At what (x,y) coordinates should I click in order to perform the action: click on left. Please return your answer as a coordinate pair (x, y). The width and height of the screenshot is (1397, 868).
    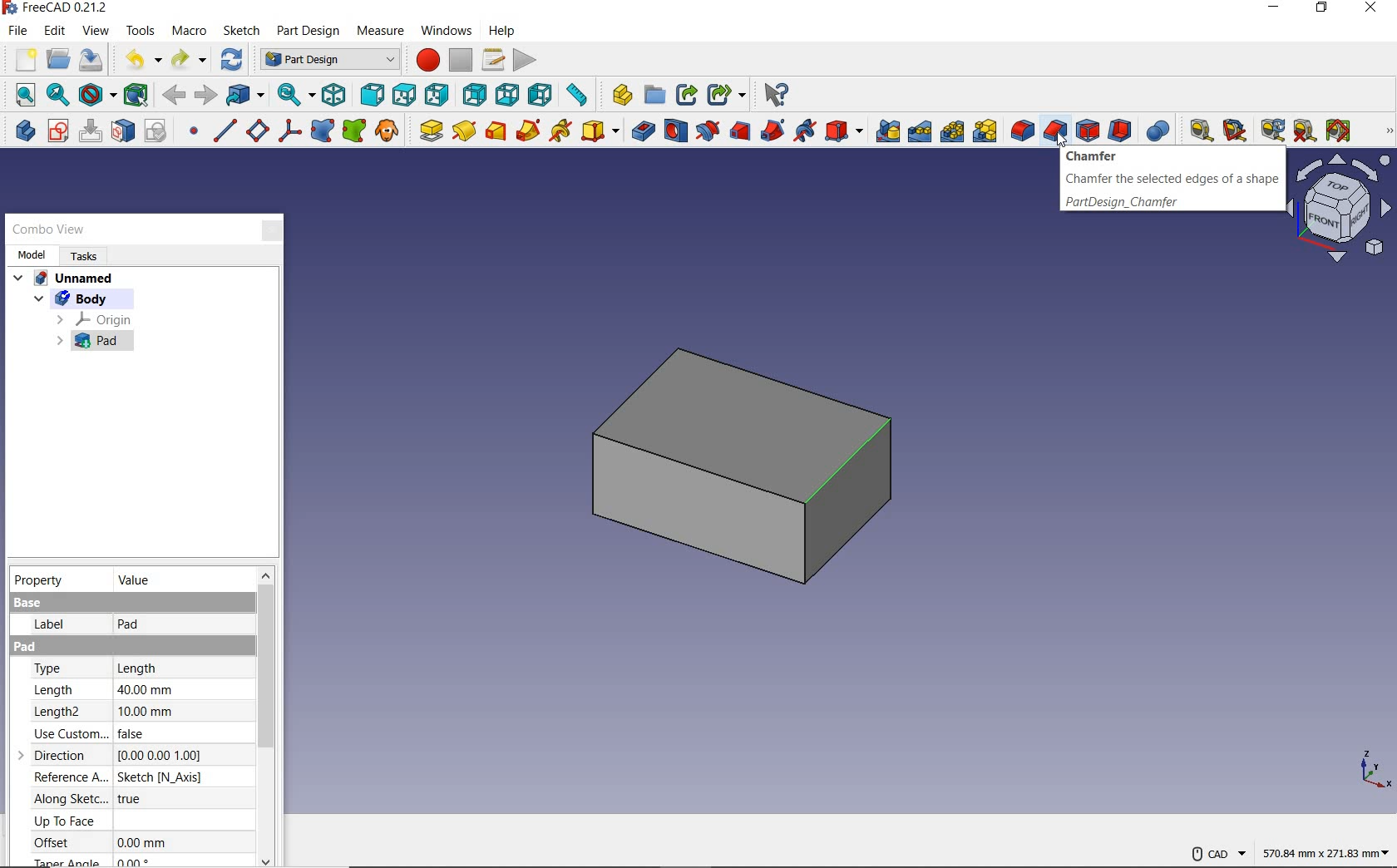
    Looking at the image, I should click on (542, 95).